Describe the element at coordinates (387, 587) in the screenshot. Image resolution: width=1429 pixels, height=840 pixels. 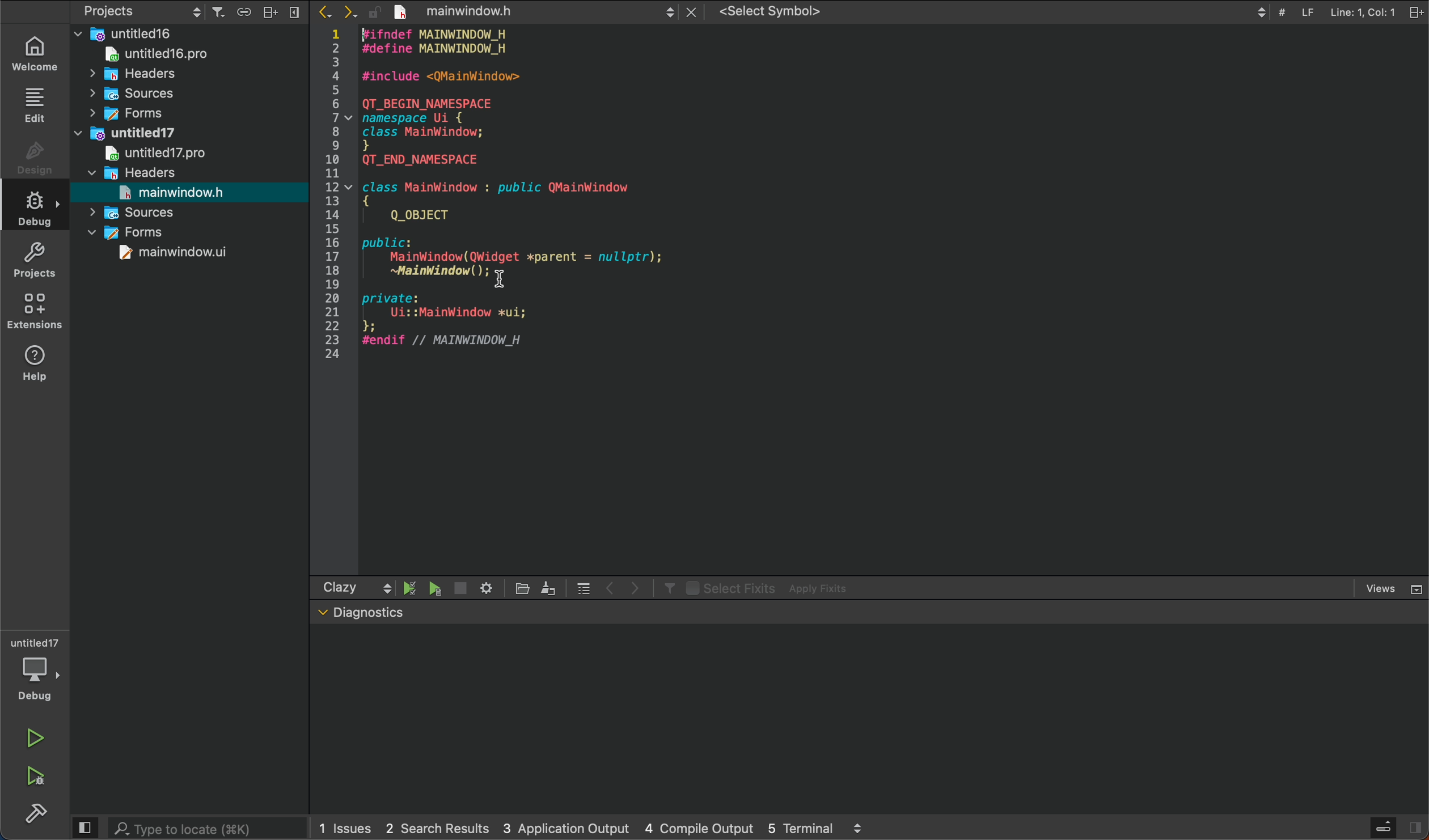
I see `scroll` at that location.